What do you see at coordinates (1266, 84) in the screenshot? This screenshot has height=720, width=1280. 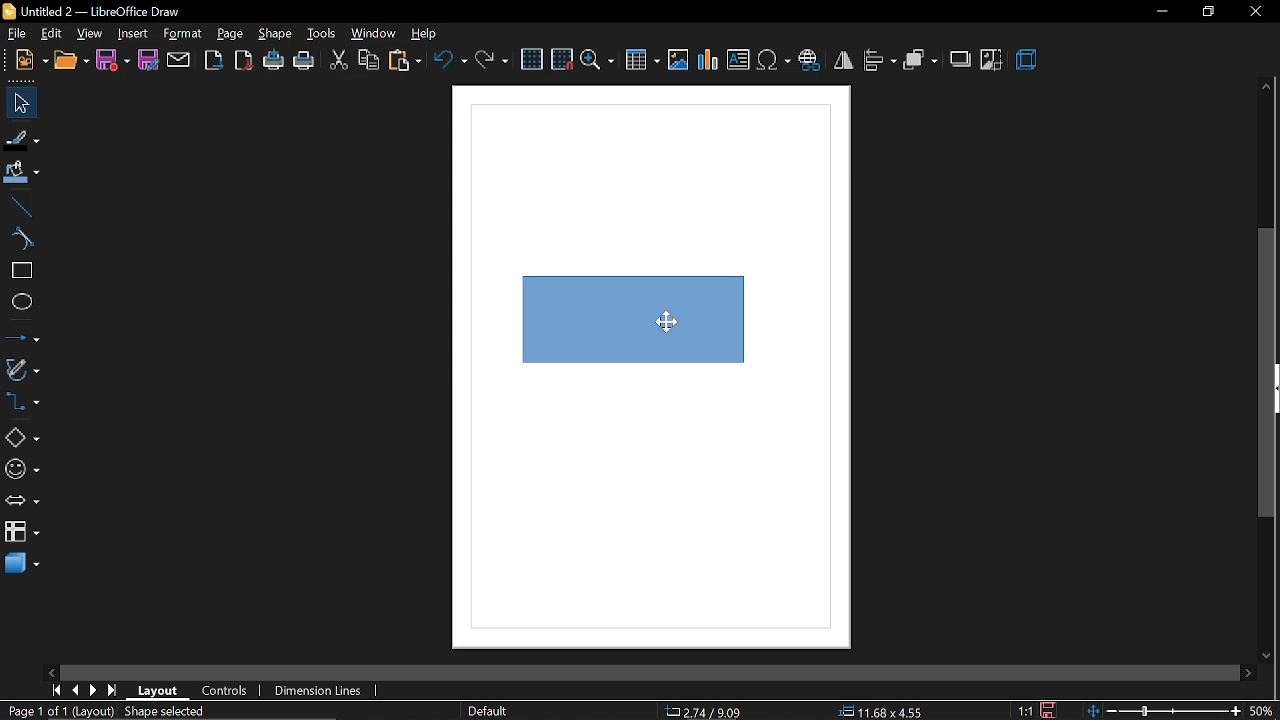 I see `move up` at bounding box center [1266, 84].